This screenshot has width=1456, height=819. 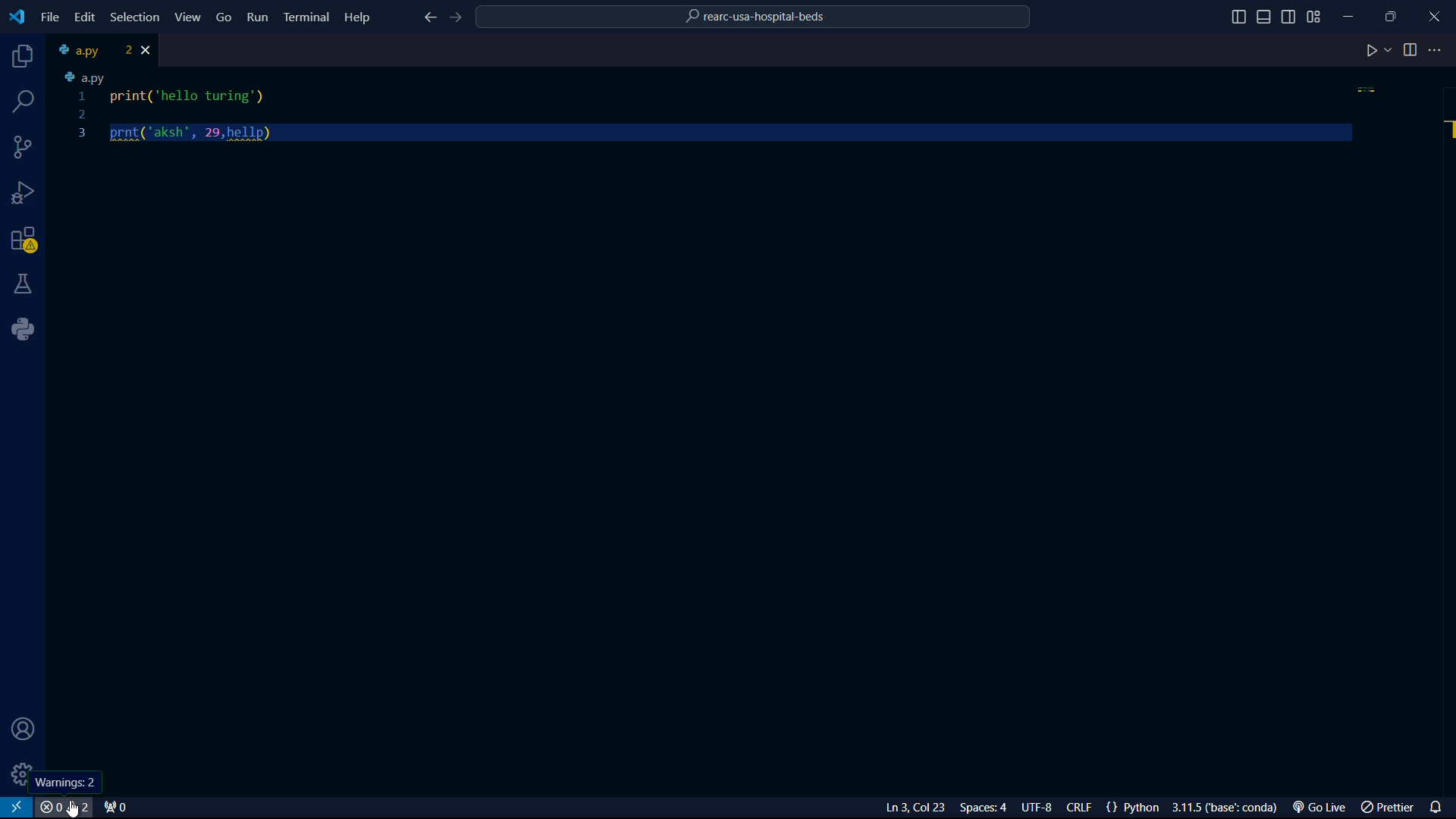 I want to click on Help, so click(x=361, y=16).